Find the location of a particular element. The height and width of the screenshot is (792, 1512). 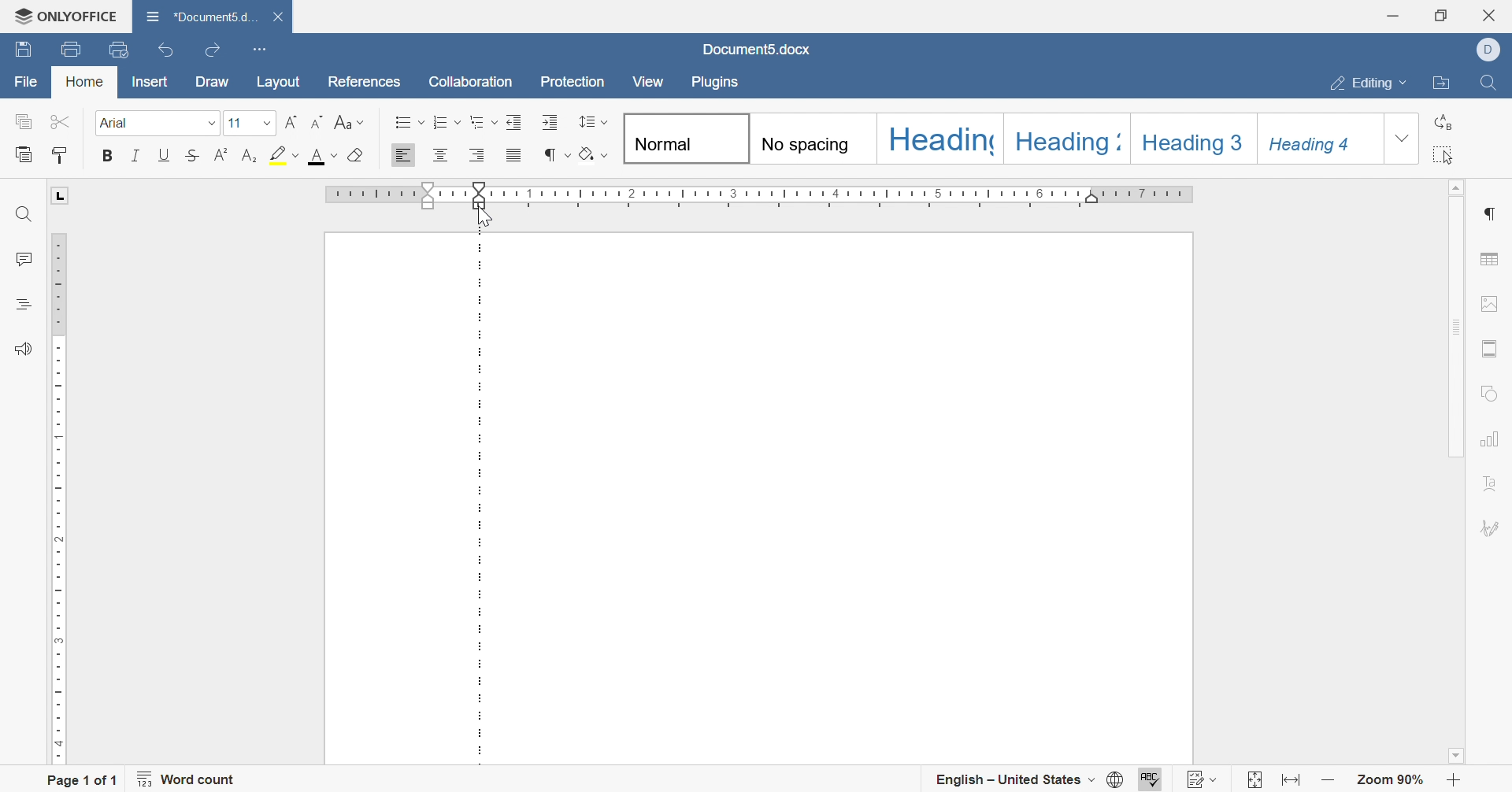

zoom 90% is located at coordinates (1392, 781).